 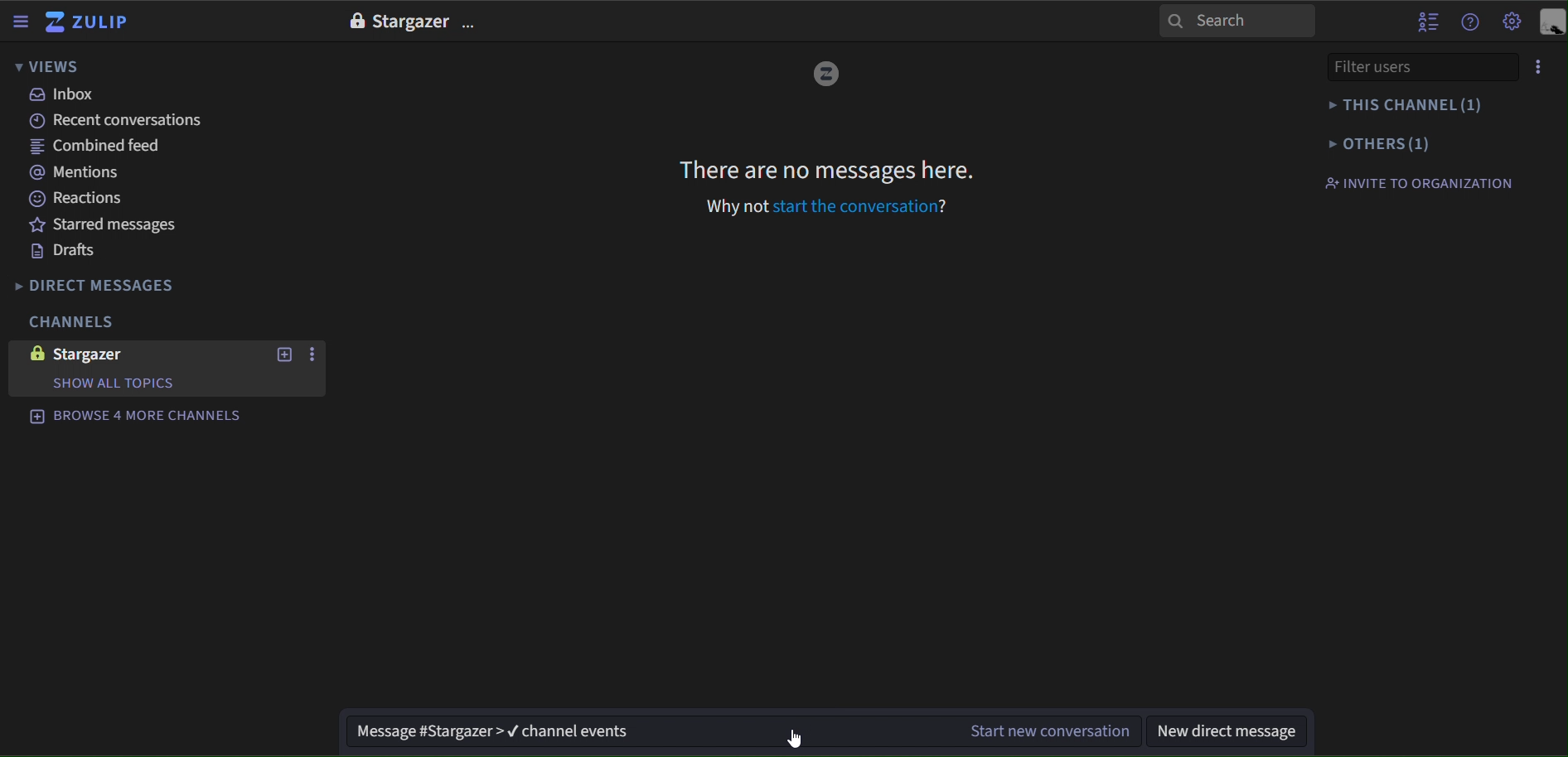 What do you see at coordinates (1512, 23) in the screenshot?
I see `settings` at bounding box center [1512, 23].